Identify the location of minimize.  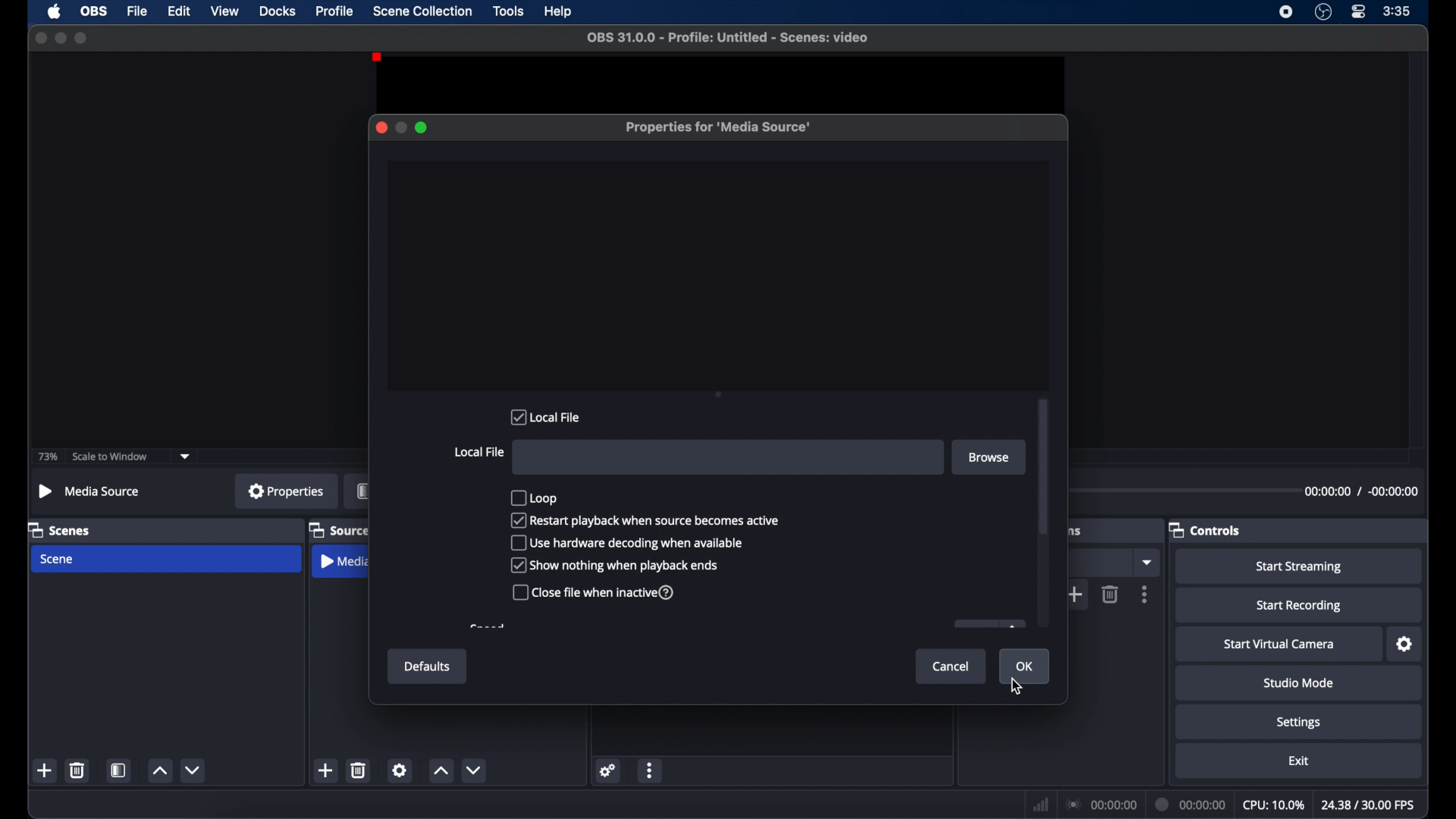
(60, 39).